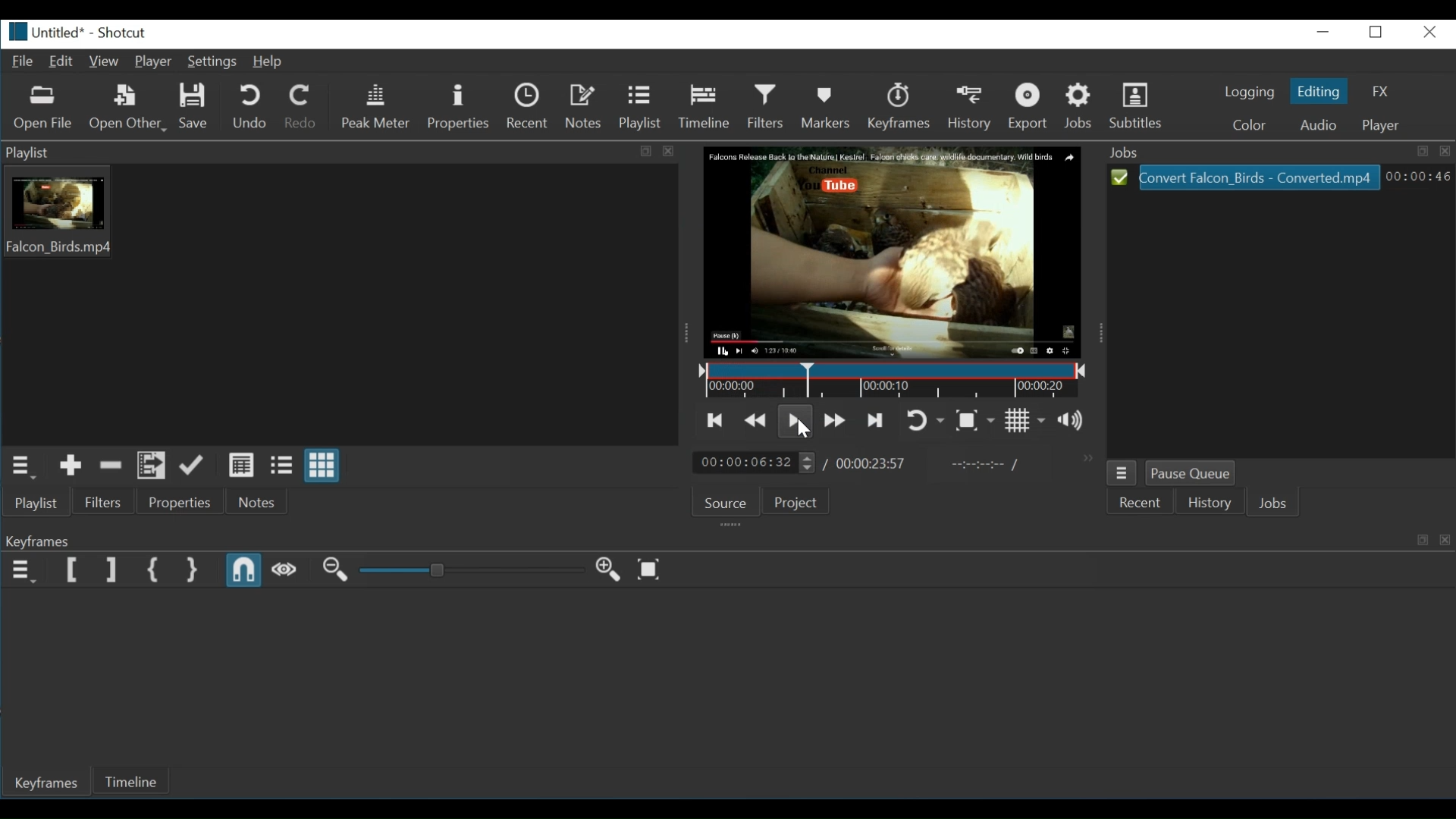 This screenshot has width=1456, height=819. What do you see at coordinates (970, 106) in the screenshot?
I see `History` at bounding box center [970, 106].